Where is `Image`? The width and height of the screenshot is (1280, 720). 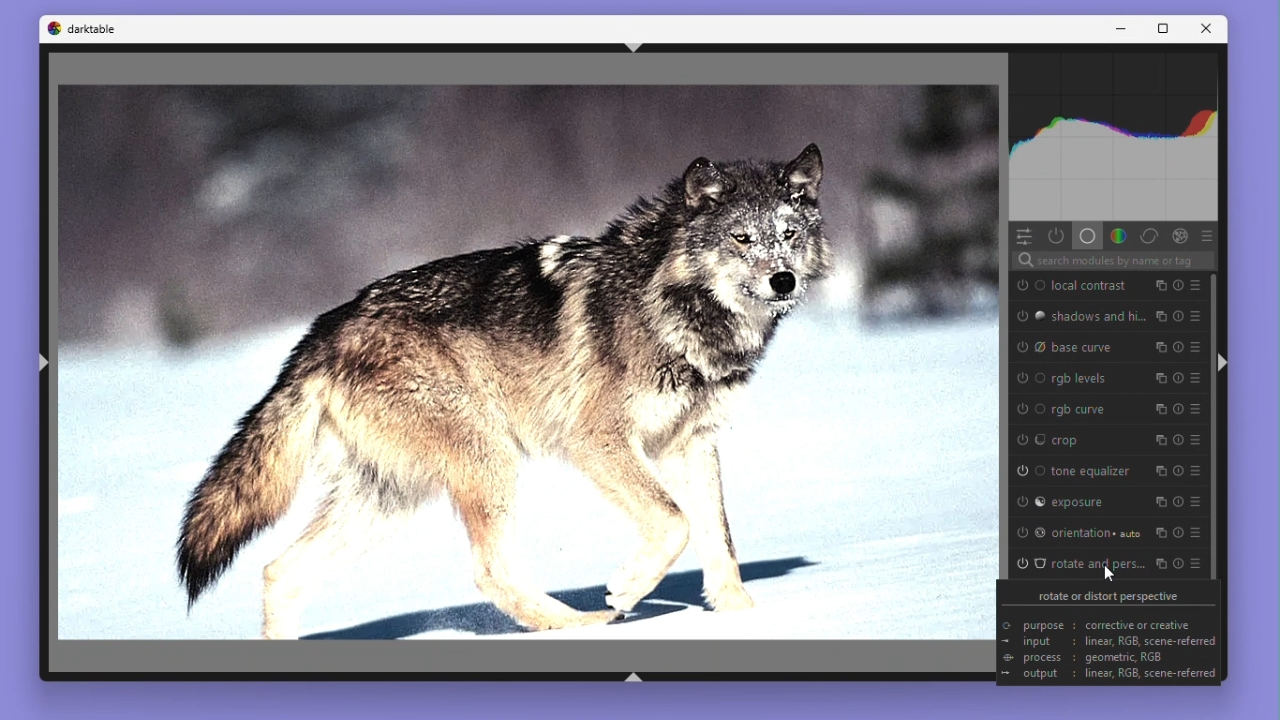
Image is located at coordinates (525, 363).